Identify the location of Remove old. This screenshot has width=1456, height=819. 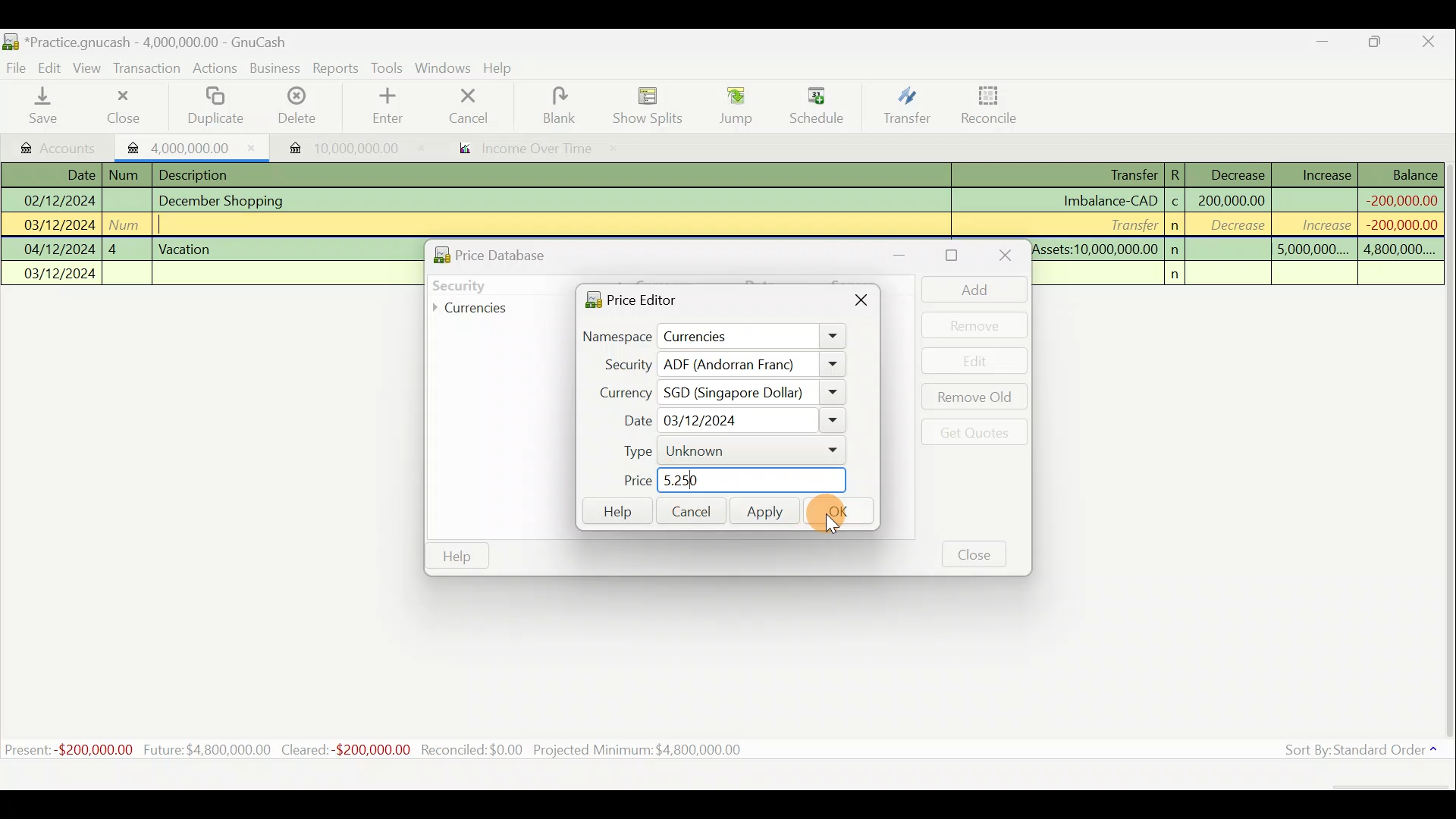
(971, 398).